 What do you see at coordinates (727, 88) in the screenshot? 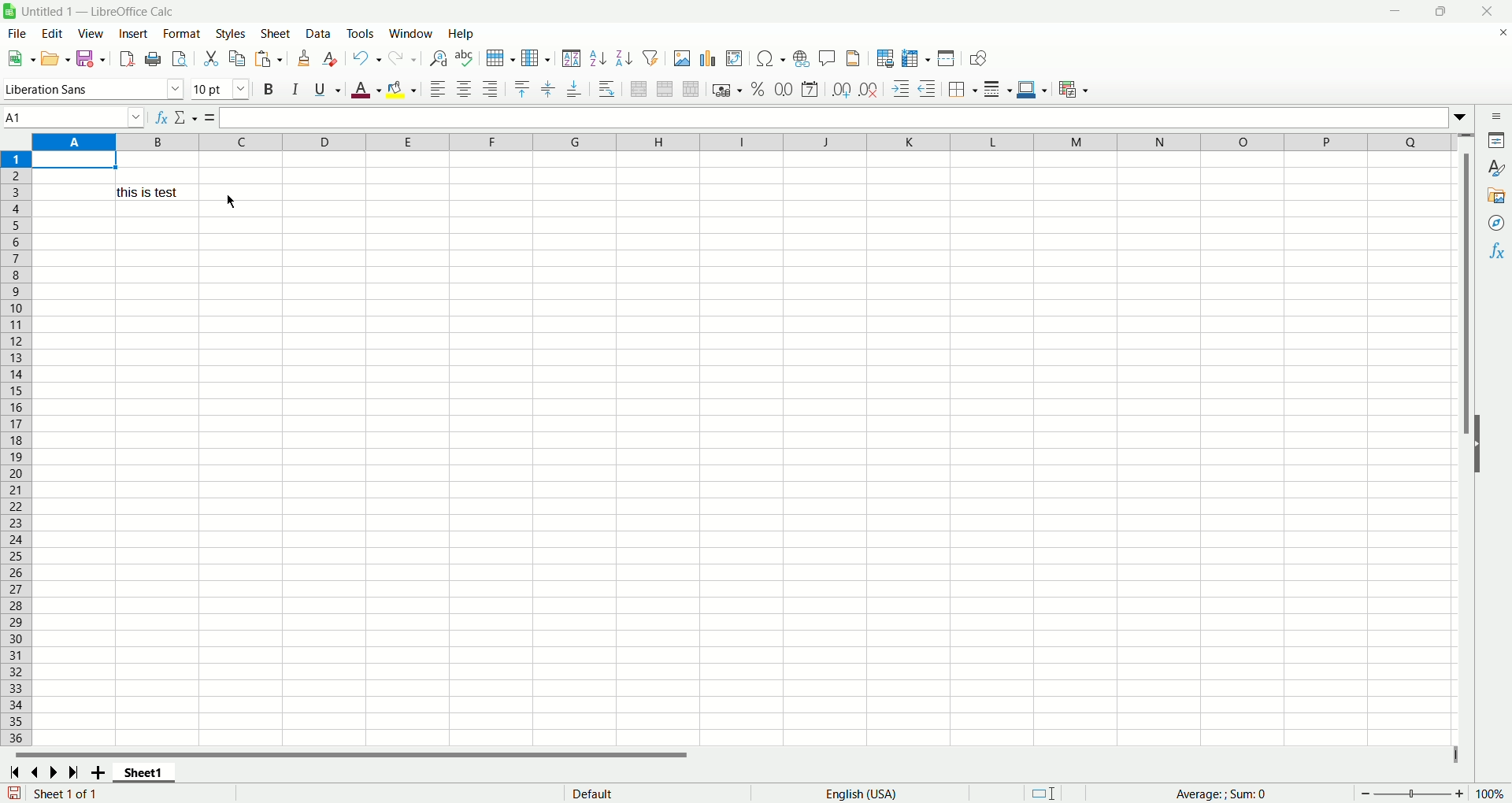
I see `format as currency` at bounding box center [727, 88].